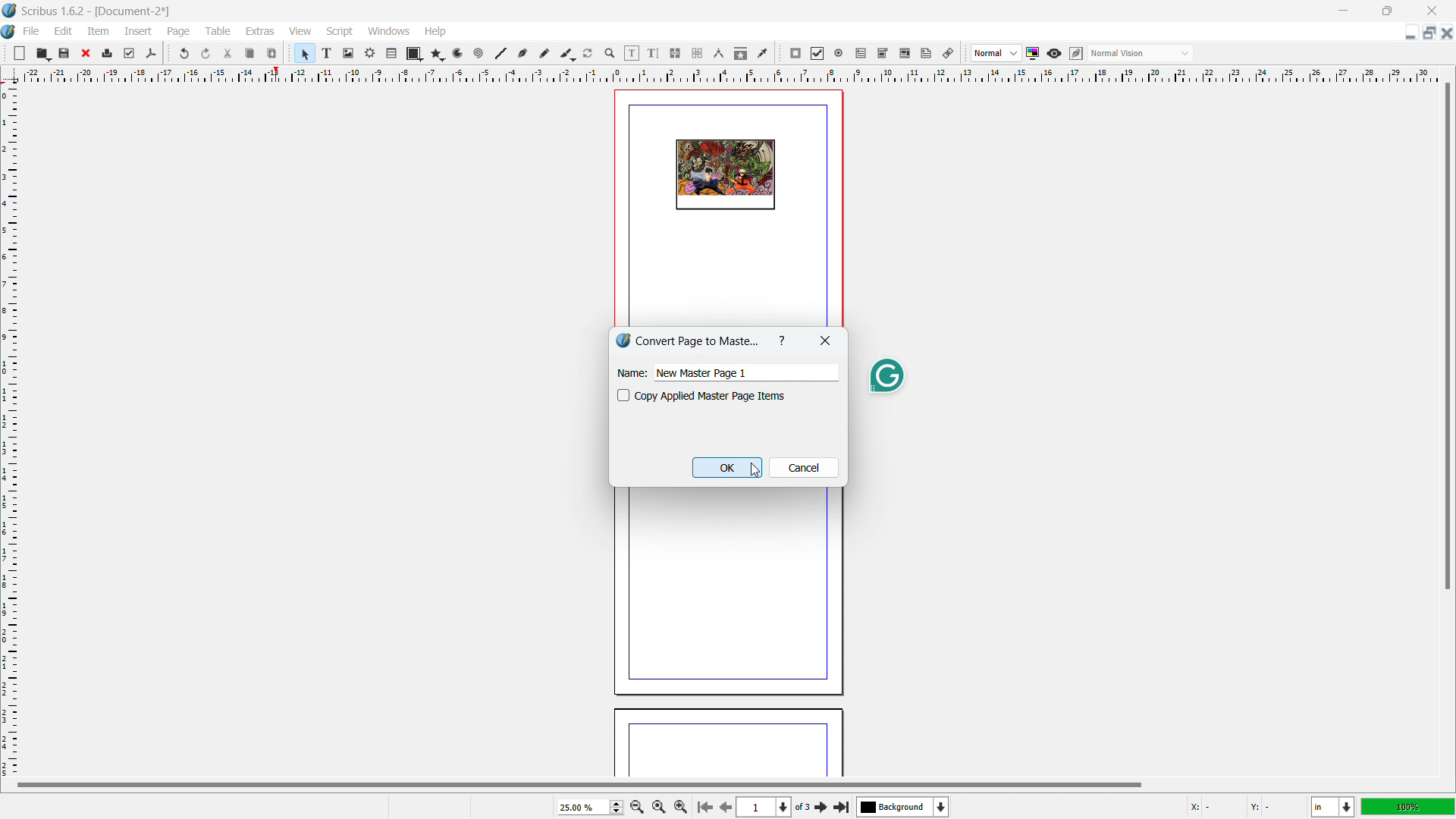 The image size is (1456, 819). What do you see at coordinates (415, 54) in the screenshot?
I see `shape` at bounding box center [415, 54].